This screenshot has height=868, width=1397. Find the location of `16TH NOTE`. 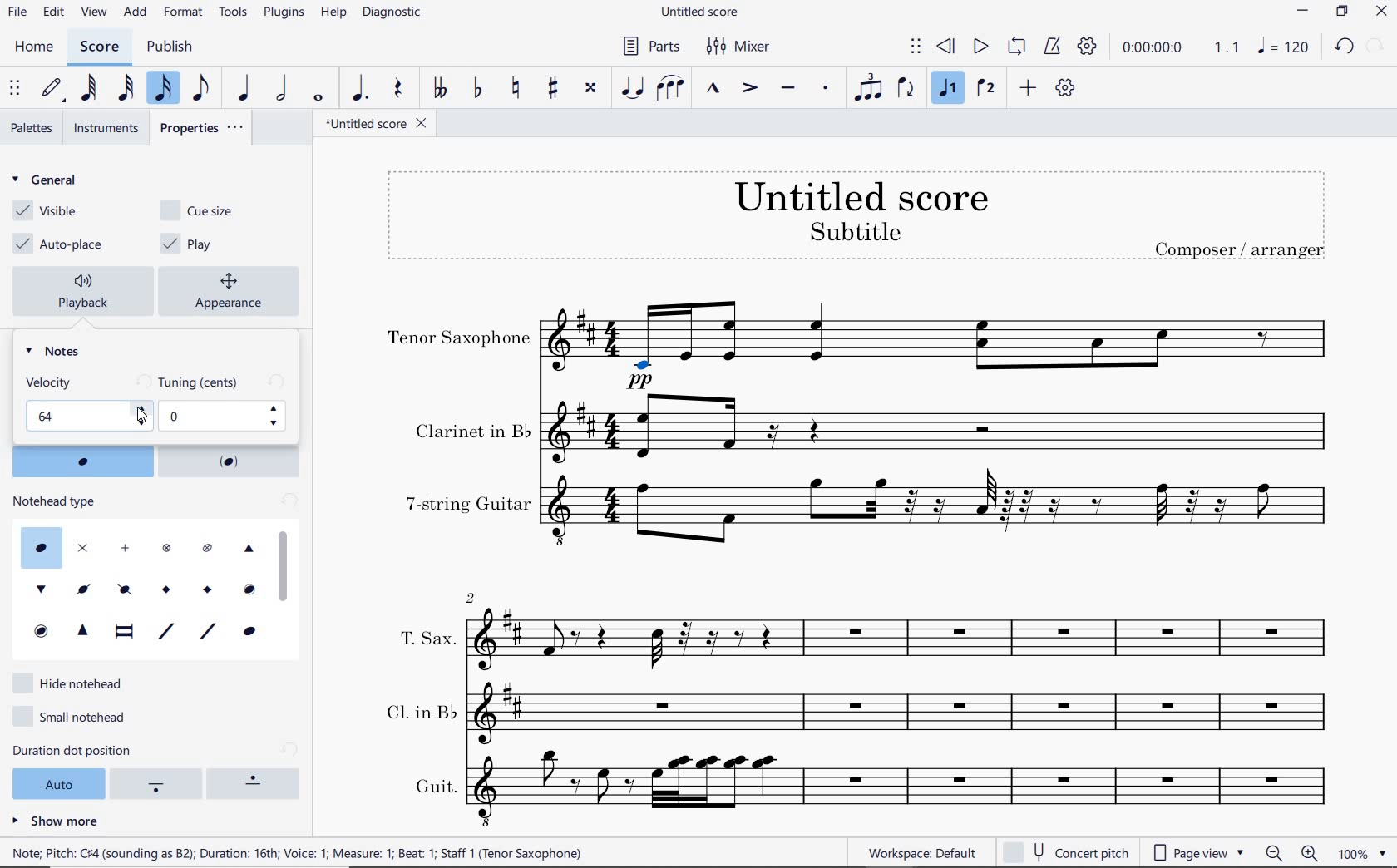

16TH NOTE is located at coordinates (165, 89).